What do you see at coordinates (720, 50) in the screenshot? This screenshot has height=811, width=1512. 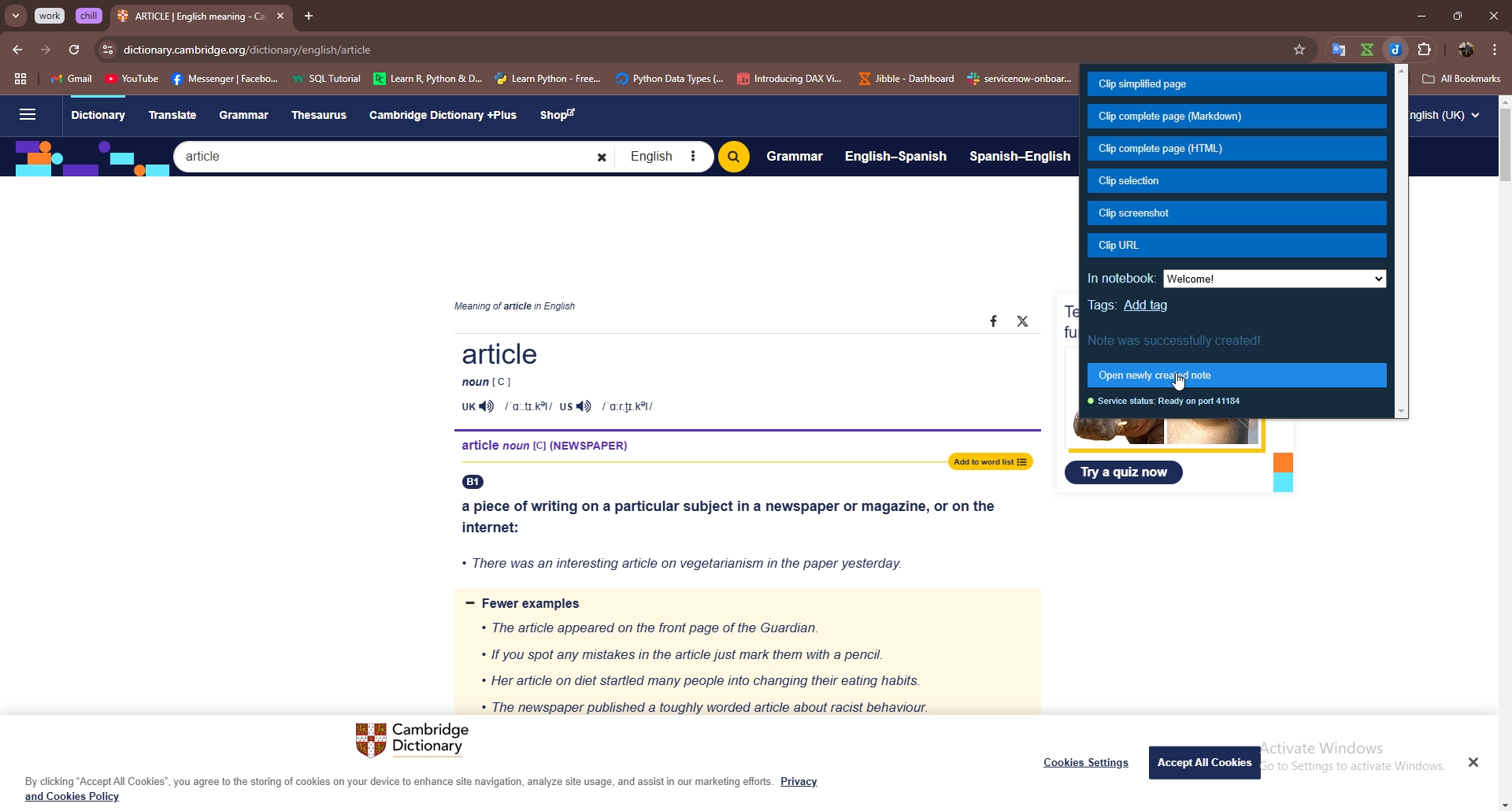 I see `search bar` at bounding box center [720, 50].